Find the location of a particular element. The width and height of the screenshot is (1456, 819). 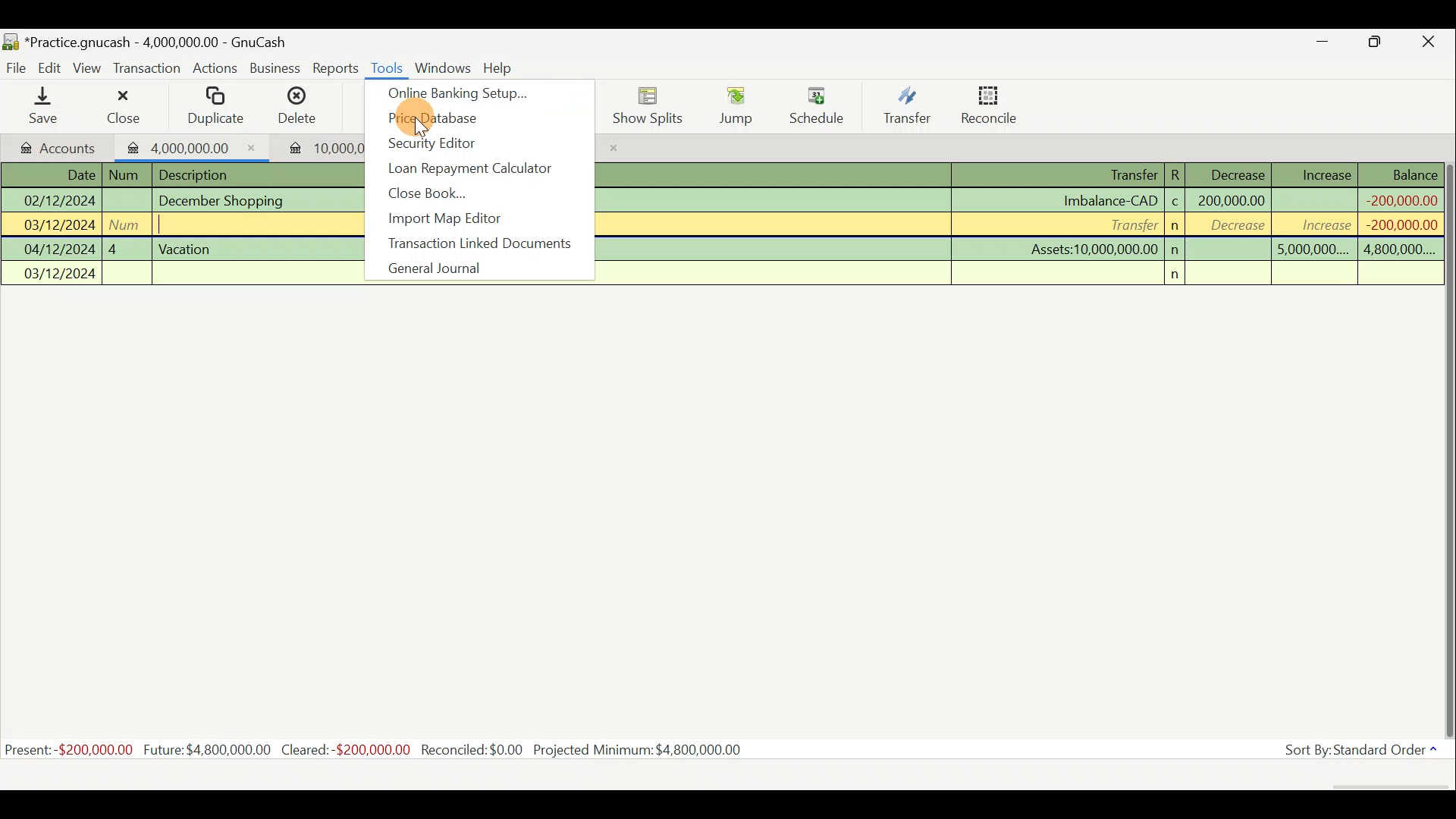

Transaction linked documents is located at coordinates (476, 243).